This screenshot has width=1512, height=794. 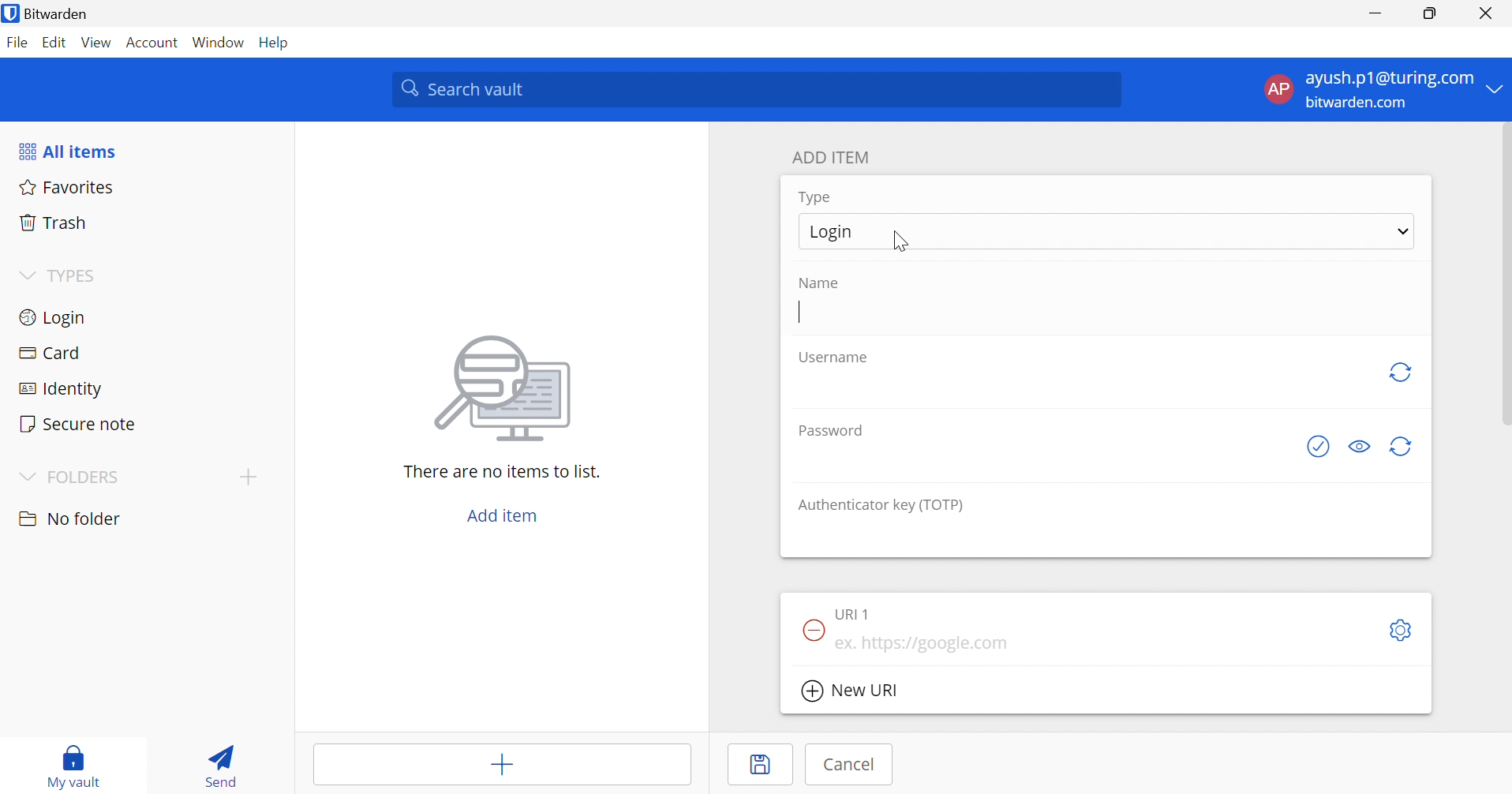 What do you see at coordinates (501, 472) in the screenshot?
I see `There are no items to list` at bounding box center [501, 472].